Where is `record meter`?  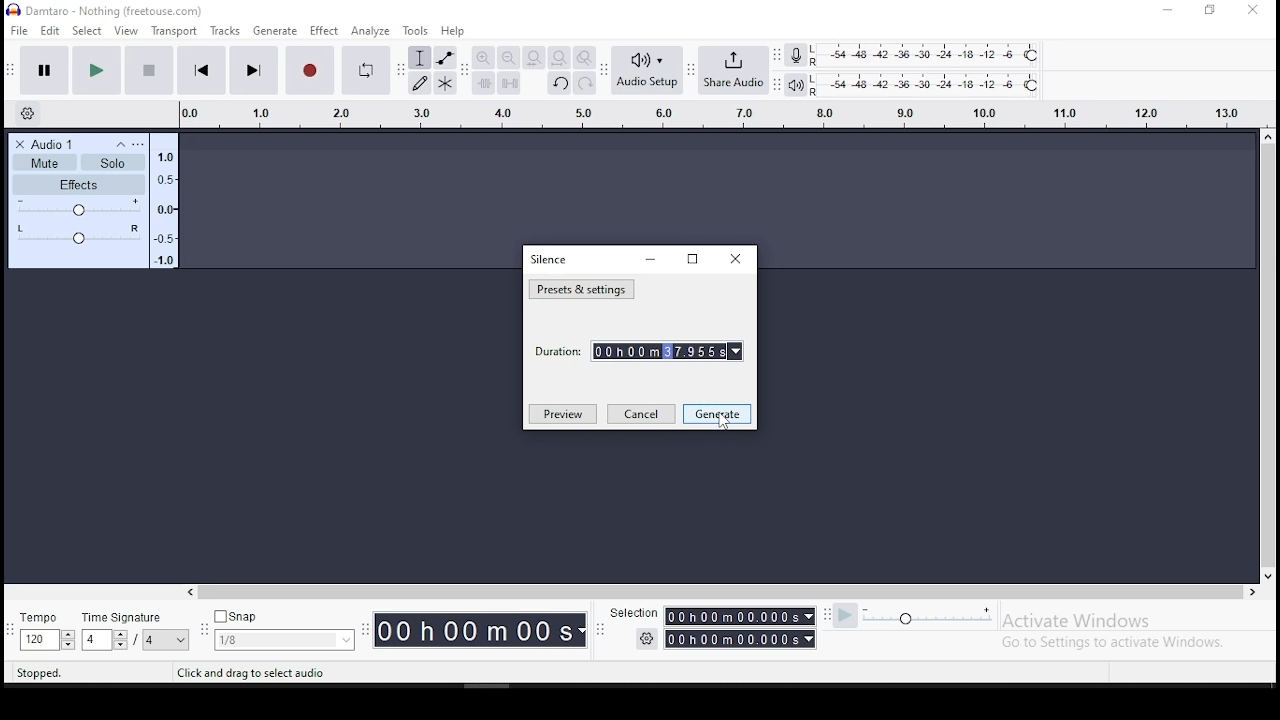 record meter is located at coordinates (796, 56).